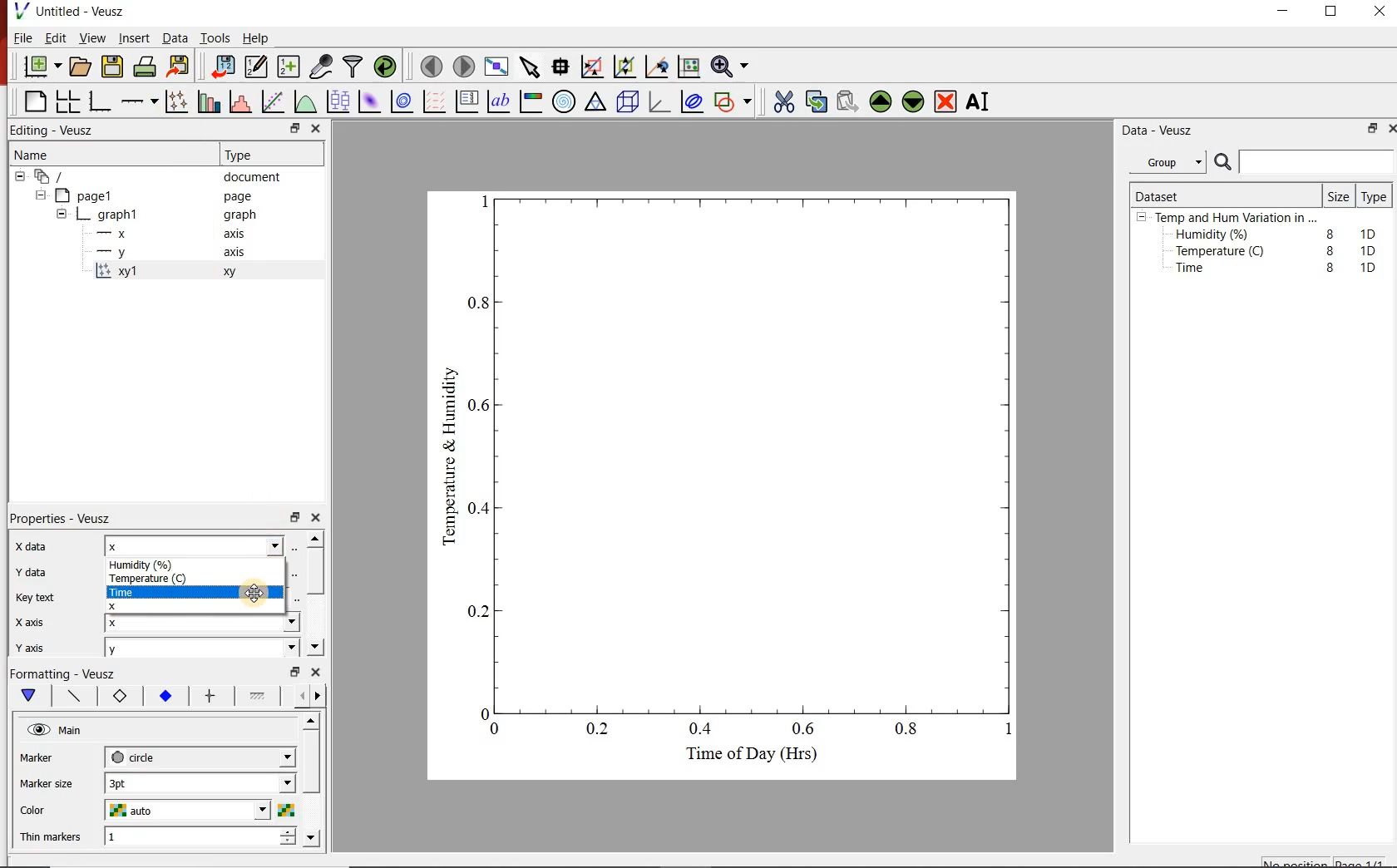  I want to click on Insert, so click(131, 38).